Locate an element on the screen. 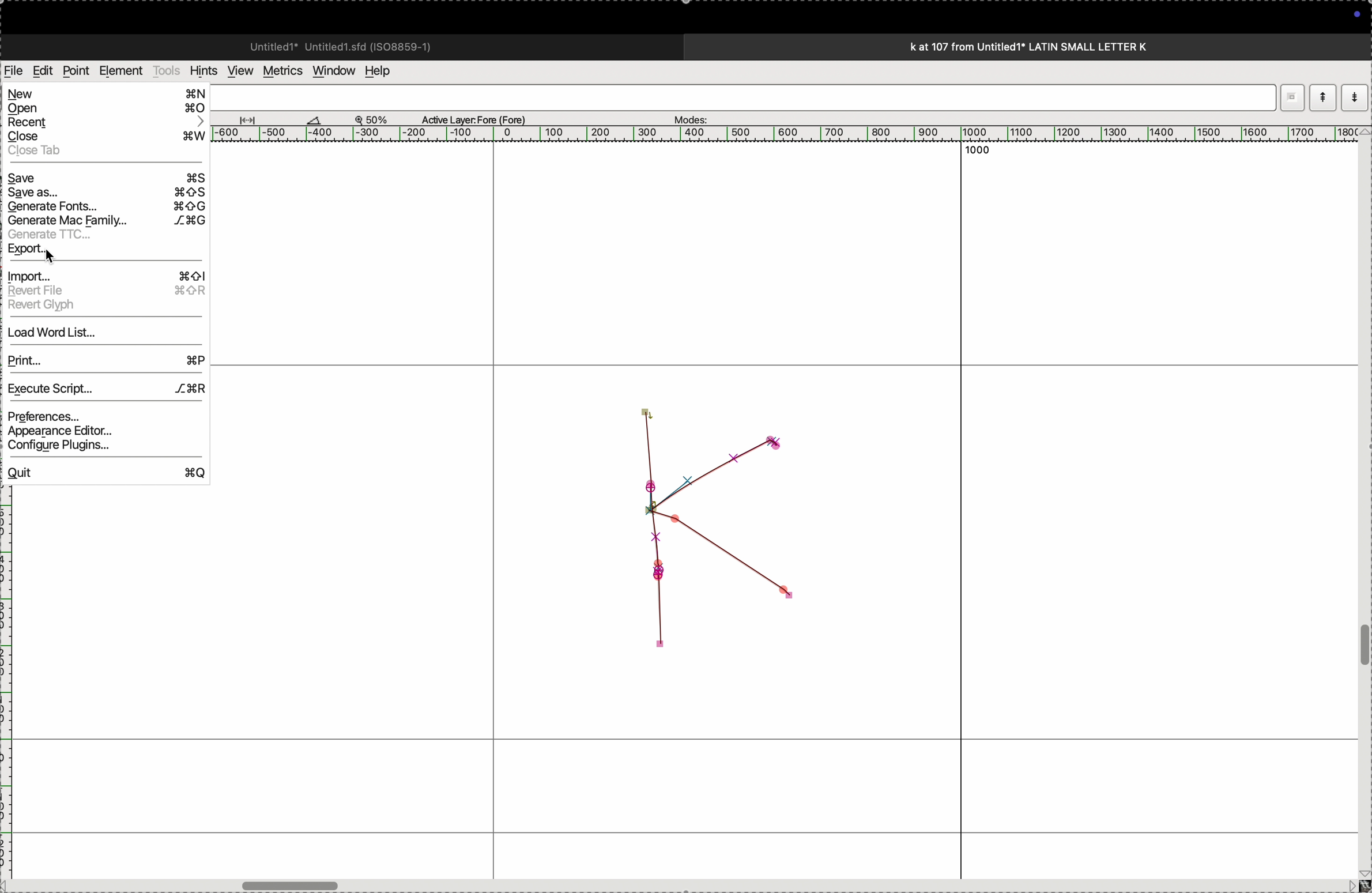 Image resolution: width=1372 pixels, height=893 pixels. prefrences is located at coordinates (99, 416).